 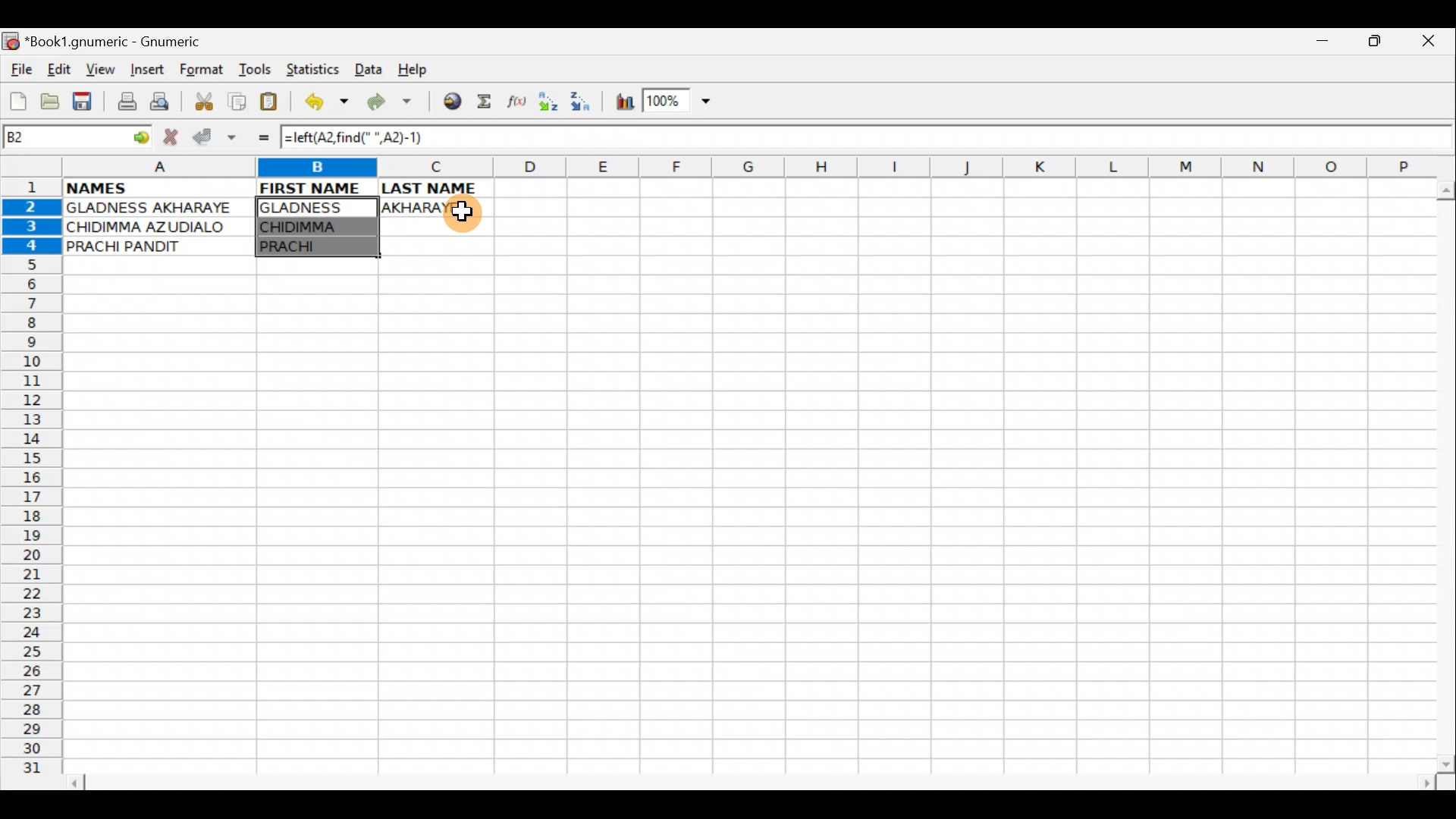 I want to click on Help, so click(x=413, y=70).